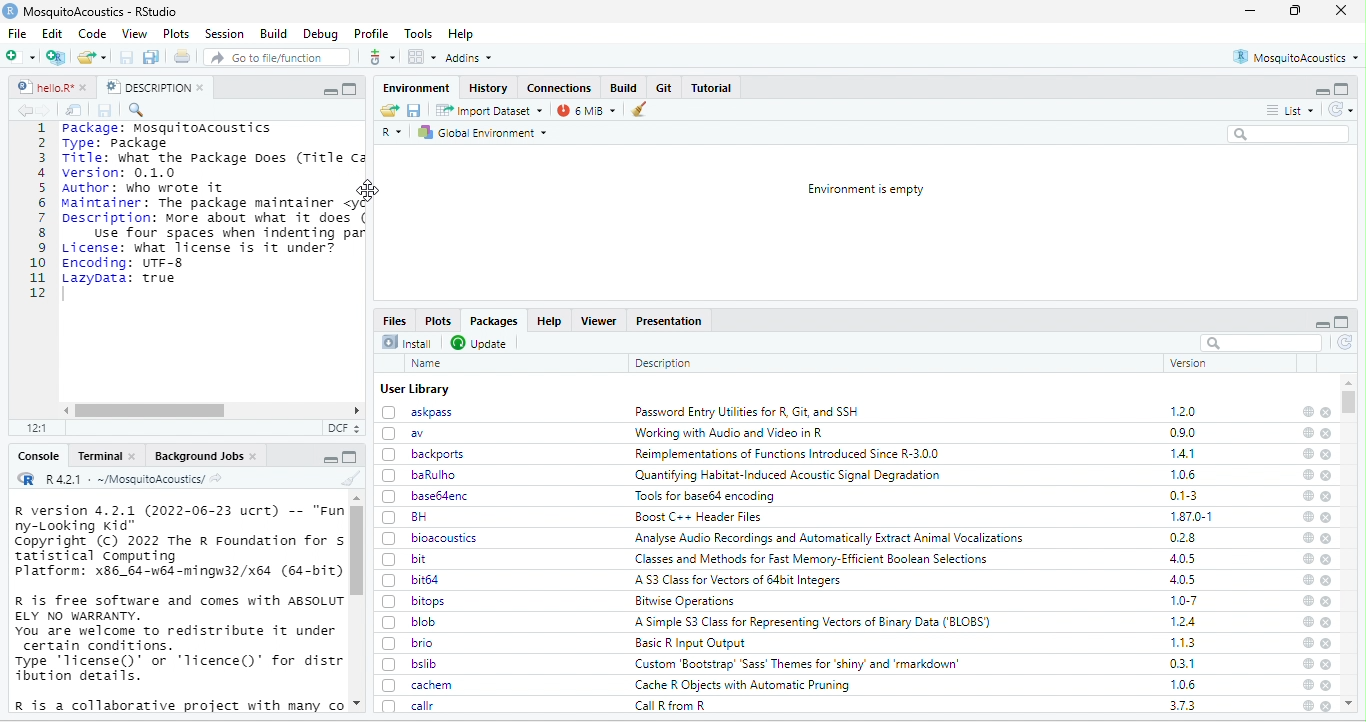  What do you see at coordinates (560, 87) in the screenshot?
I see `Connections` at bounding box center [560, 87].